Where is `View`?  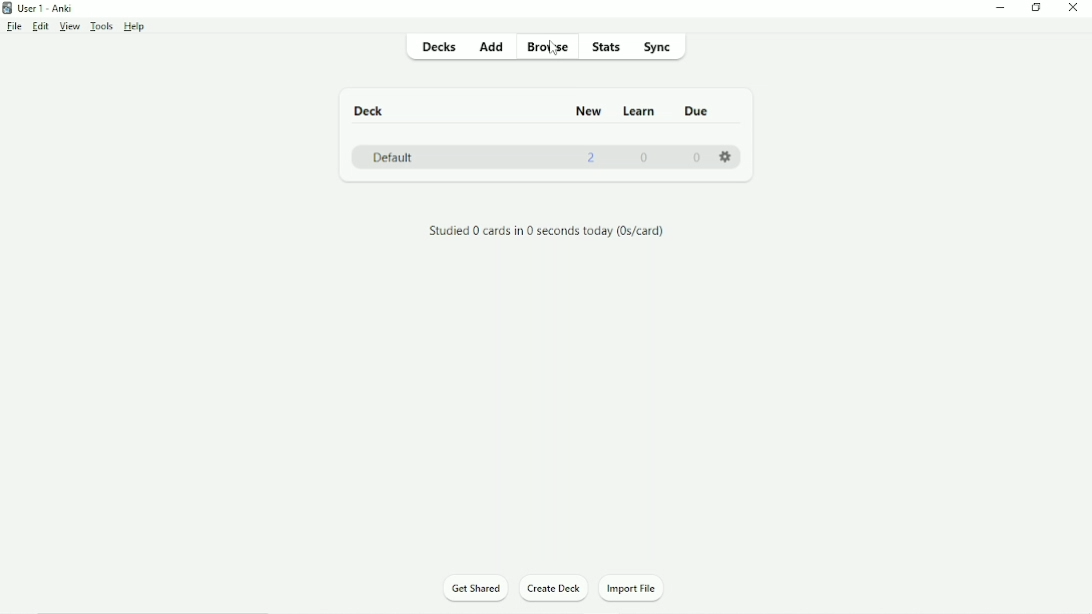 View is located at coordinates (69, 27).